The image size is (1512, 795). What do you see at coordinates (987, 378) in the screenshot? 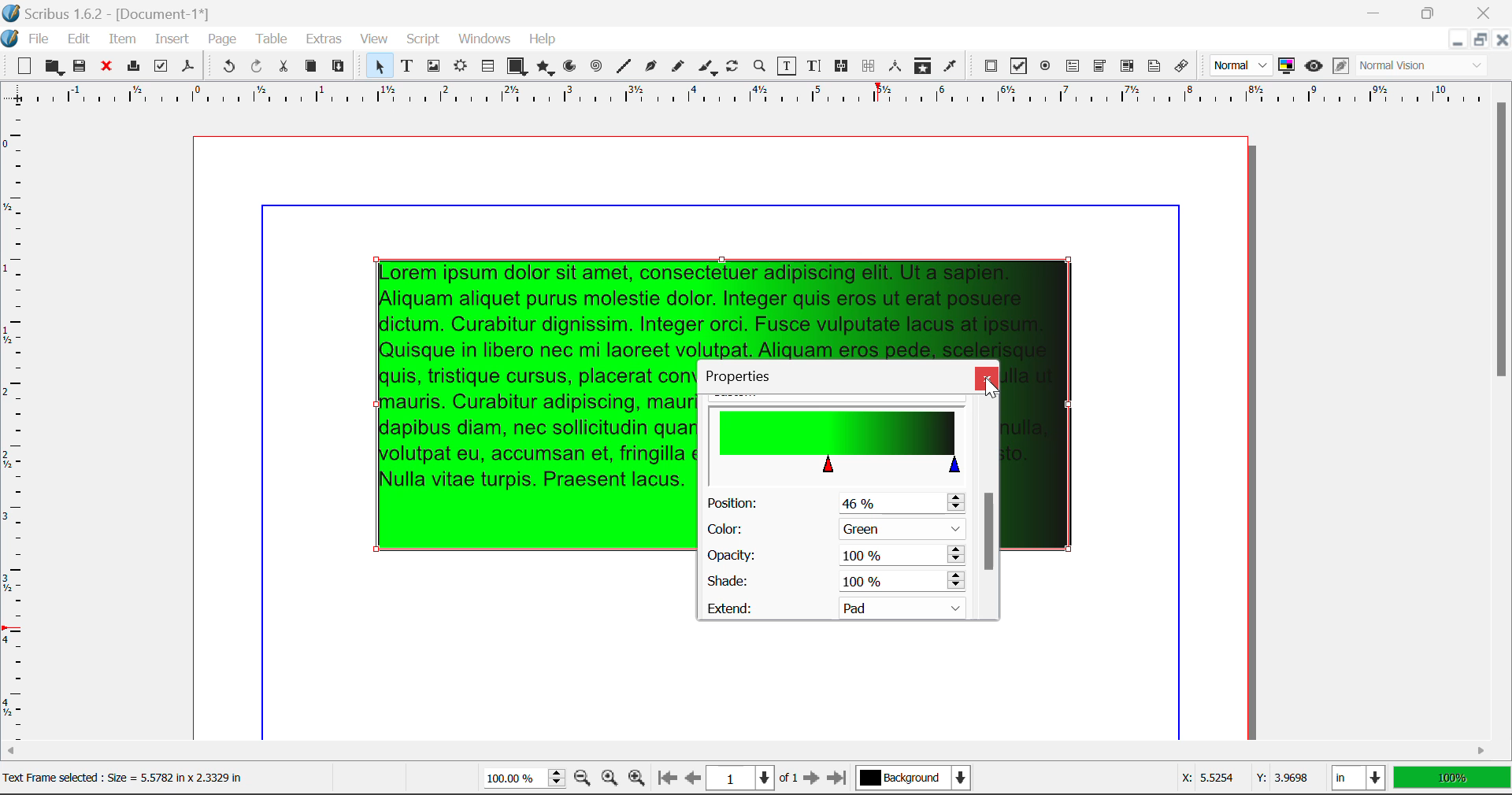
I see `Close` at bounding box center [987, 378].